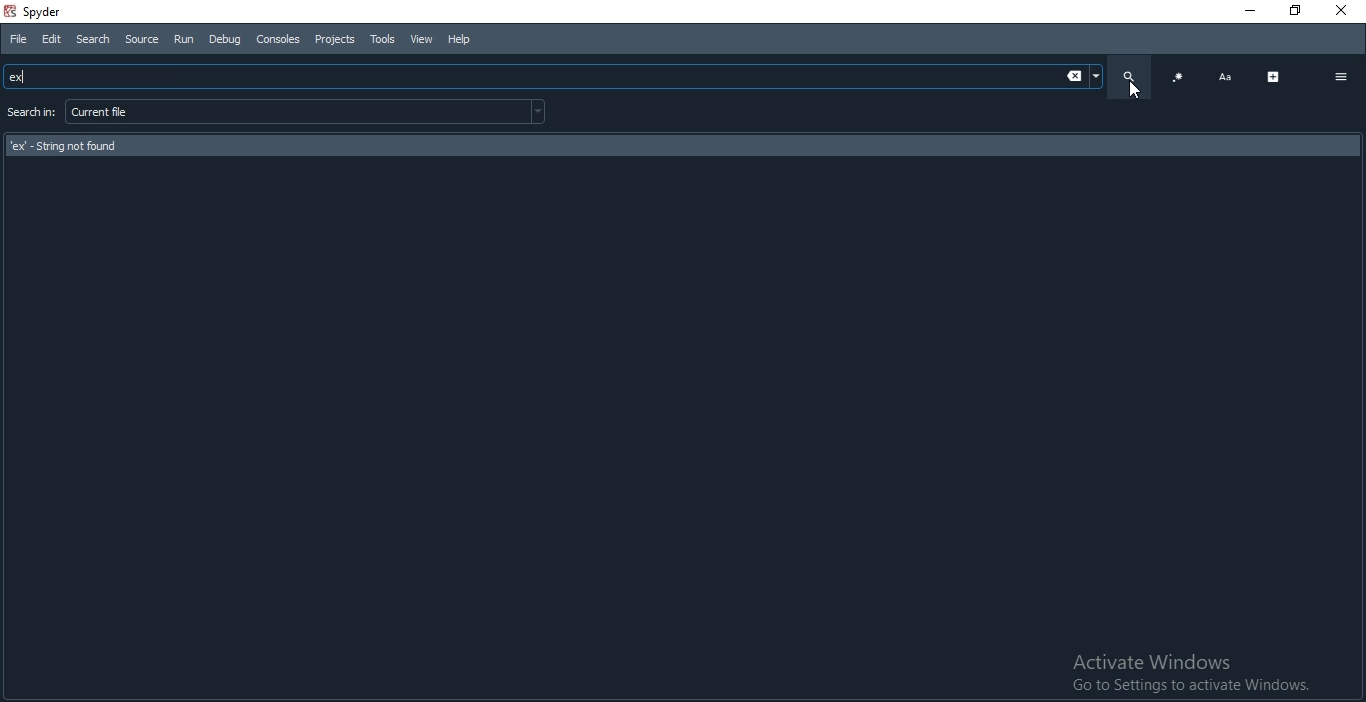 This screenshot has height=702, width=1366. I want to click on View, so click(419, 39).